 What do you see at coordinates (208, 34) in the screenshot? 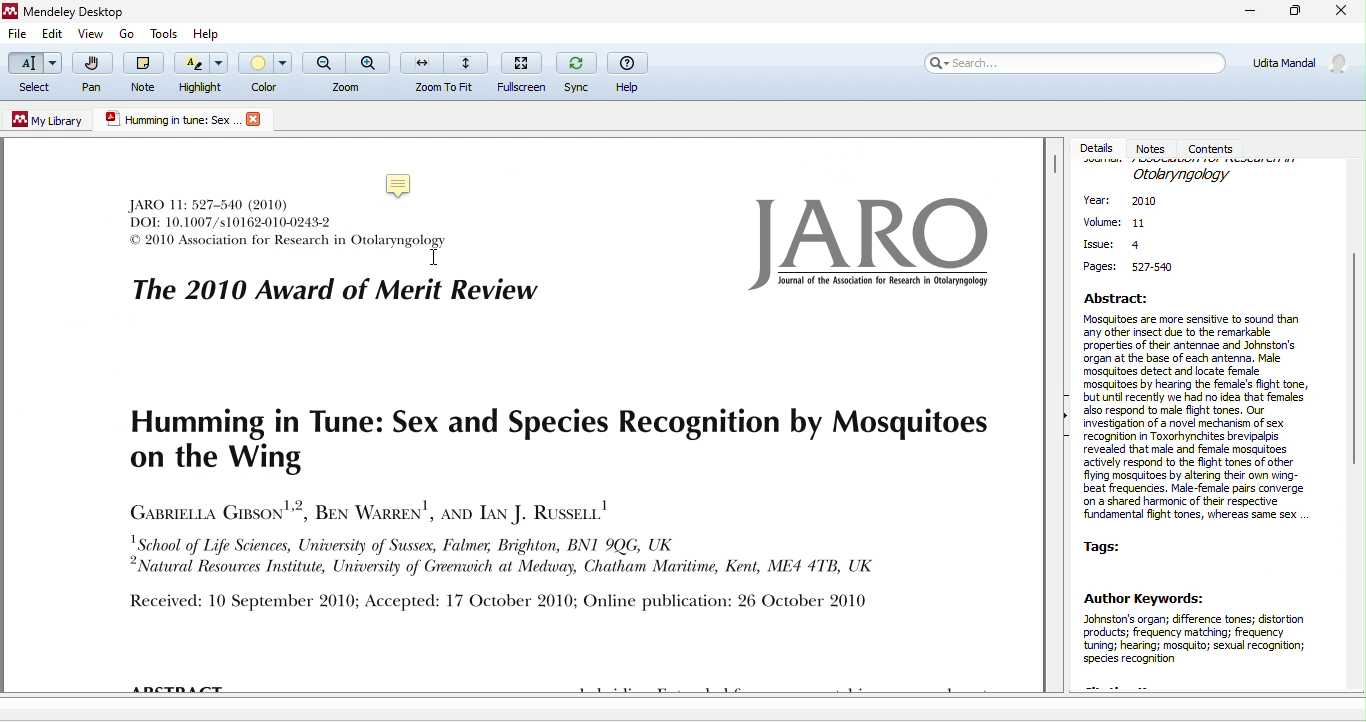
I see `help` at bounding box center [208, 34].